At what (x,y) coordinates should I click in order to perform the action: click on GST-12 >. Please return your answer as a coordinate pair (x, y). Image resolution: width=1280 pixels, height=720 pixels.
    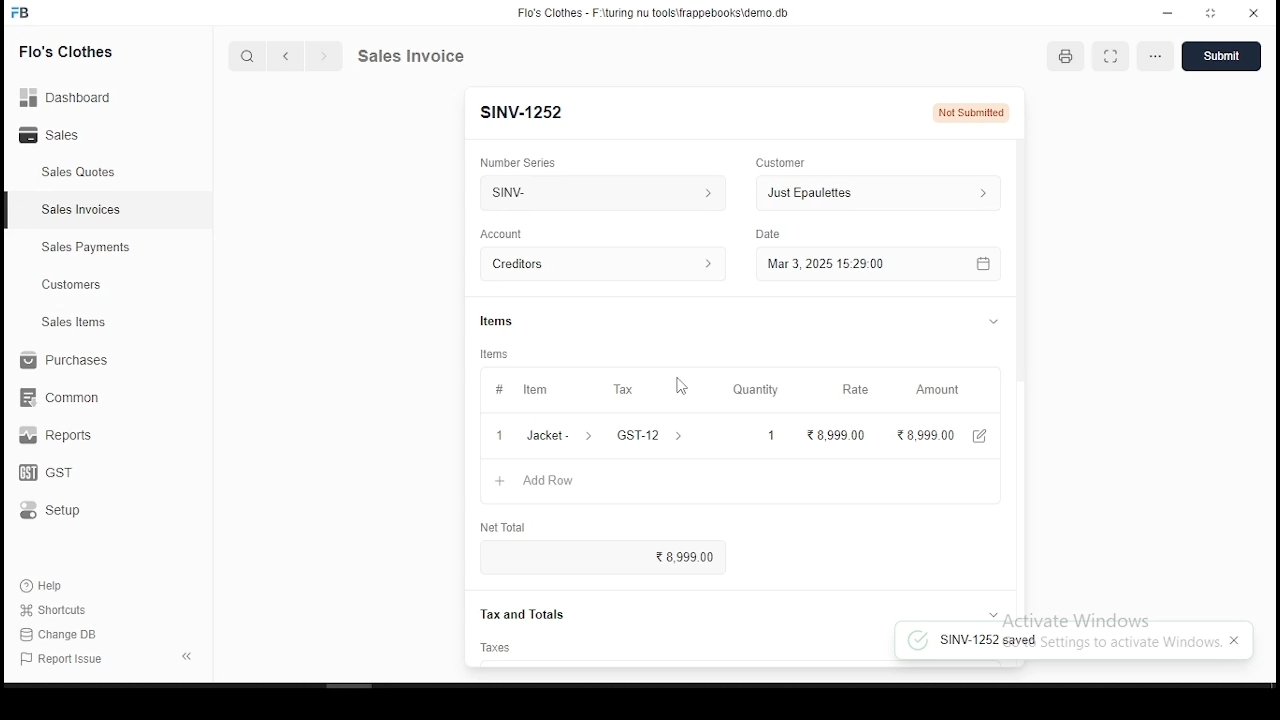
    Looking at the image, I should click on (653, 435).